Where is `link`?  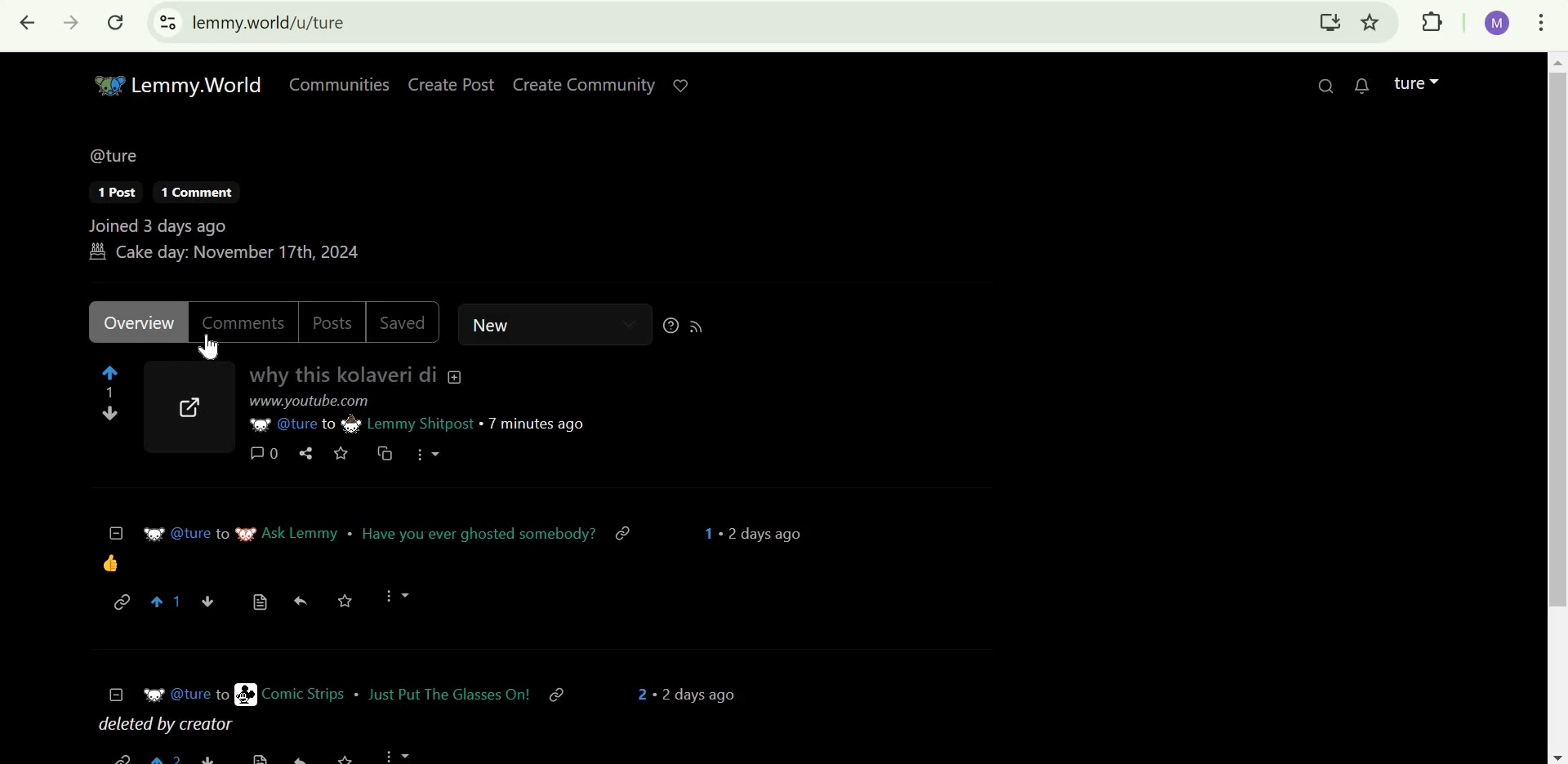
link is located at coordinates (626, 535).